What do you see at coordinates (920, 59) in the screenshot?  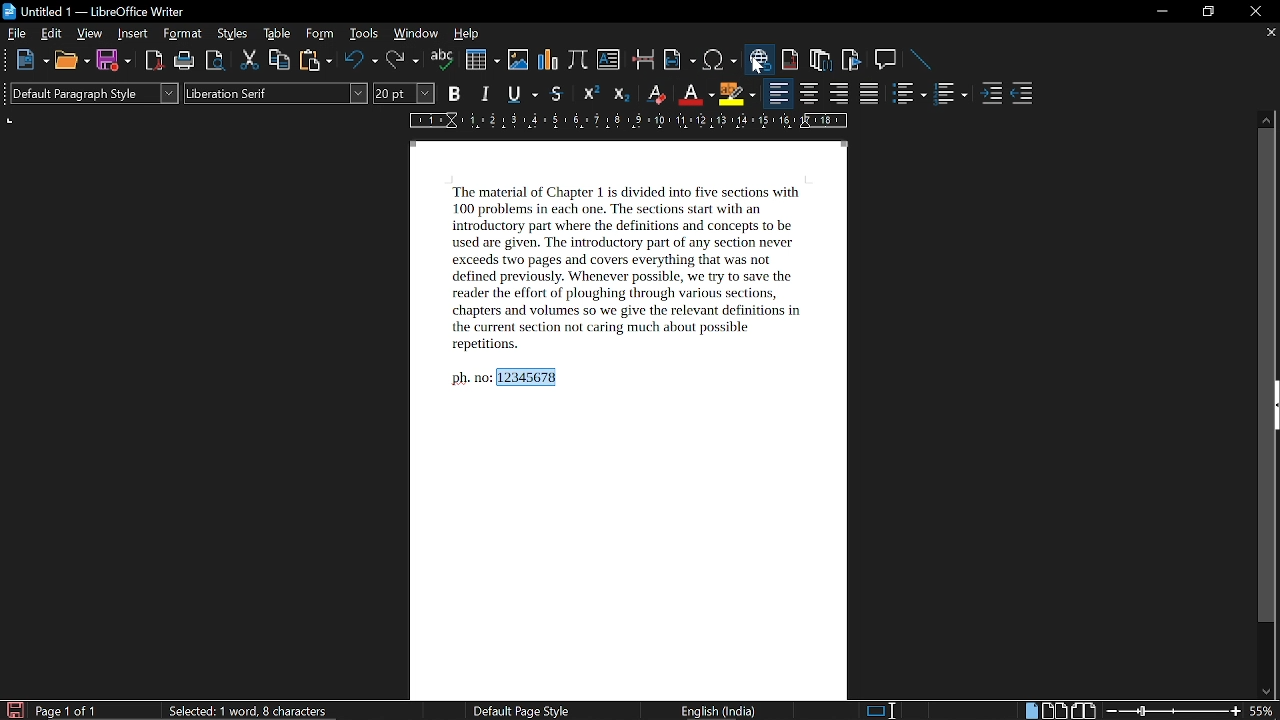 I see `line` at bounding box center [920, 59].